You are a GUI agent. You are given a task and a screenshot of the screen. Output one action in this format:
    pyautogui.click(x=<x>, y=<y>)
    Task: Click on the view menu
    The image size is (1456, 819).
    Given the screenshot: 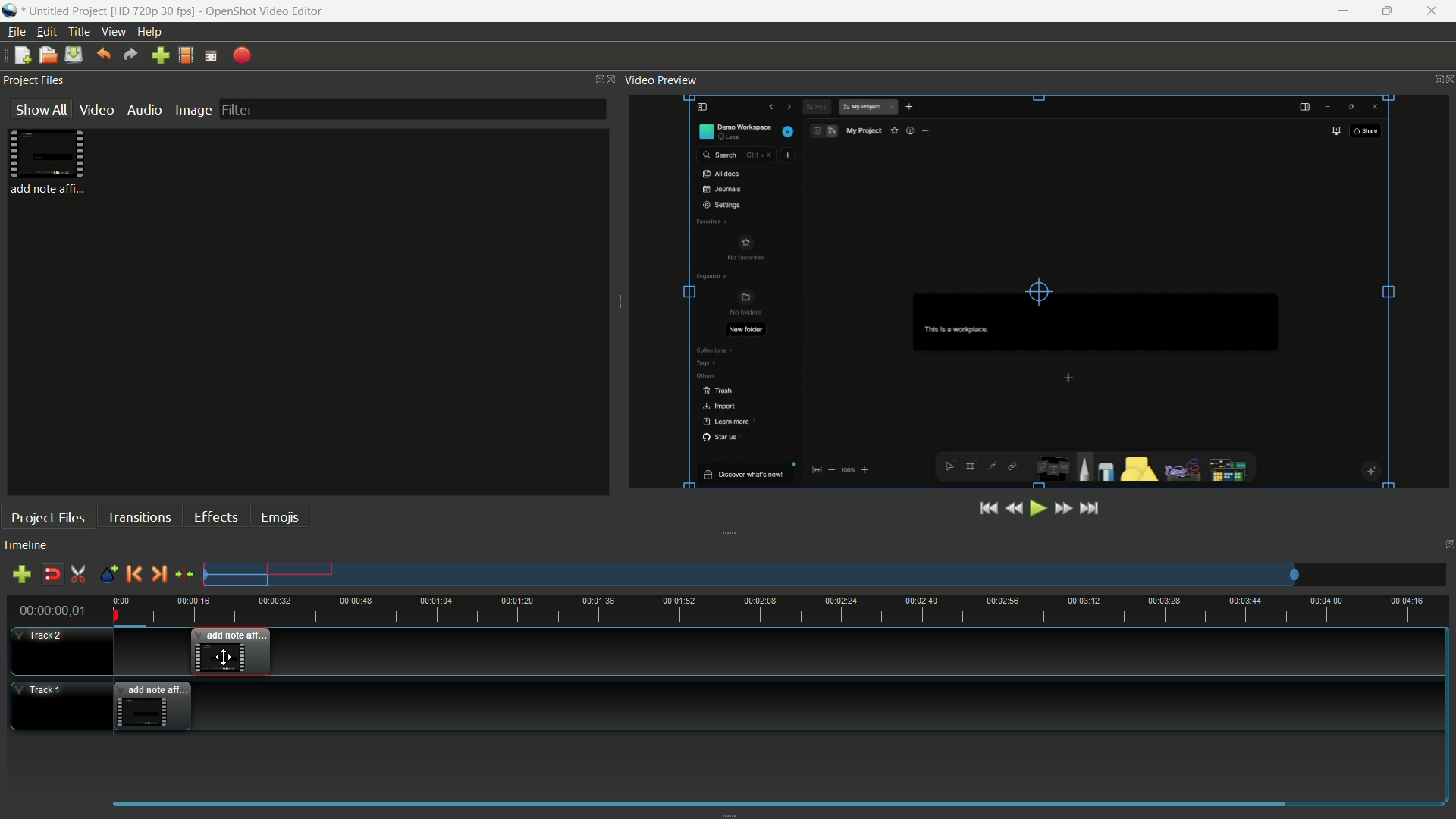 What is the action you would take?
    pyautogui.click(x=113, y=32)
    